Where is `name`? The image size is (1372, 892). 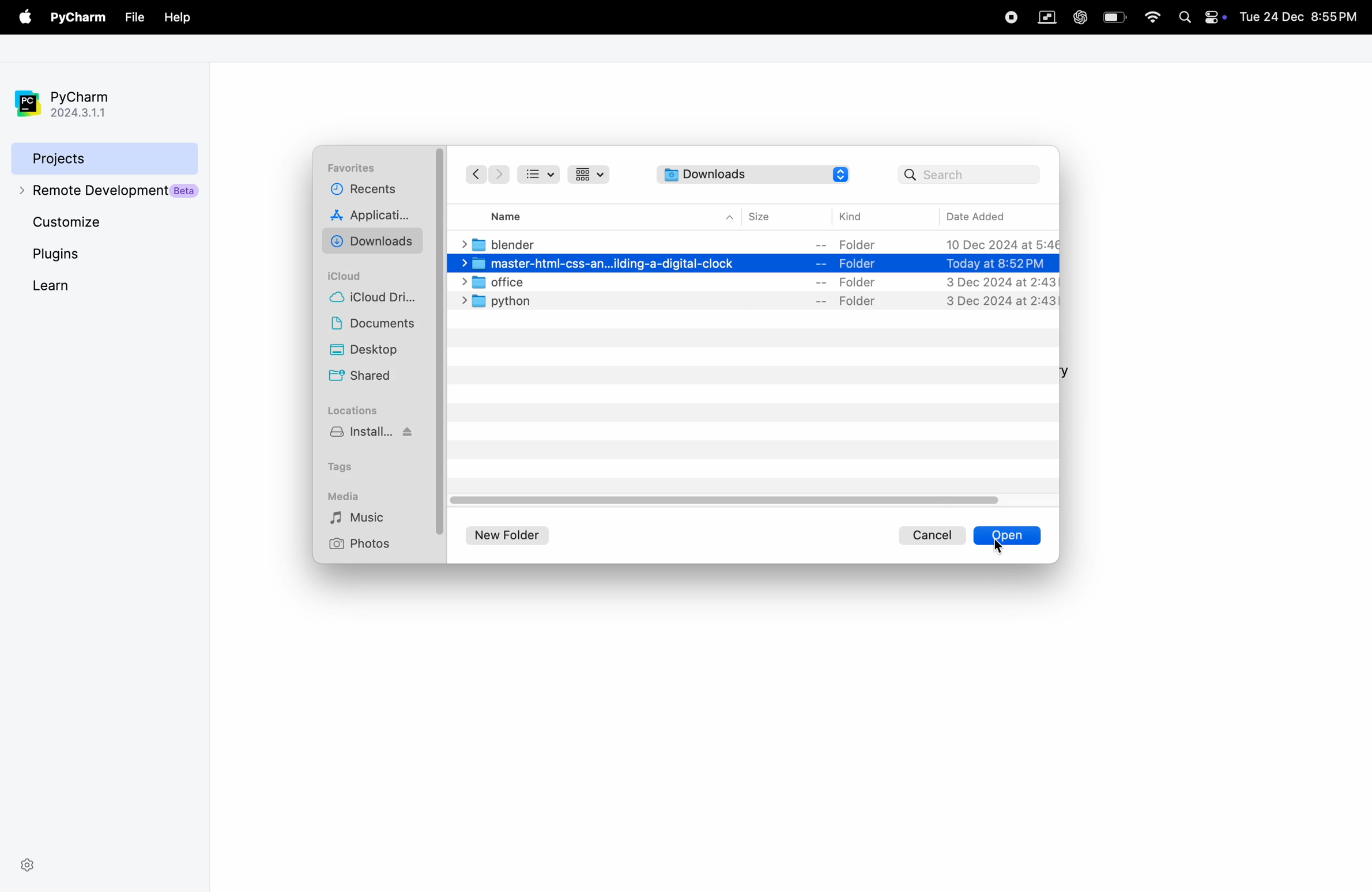
name is located at coordinates (517, 215).